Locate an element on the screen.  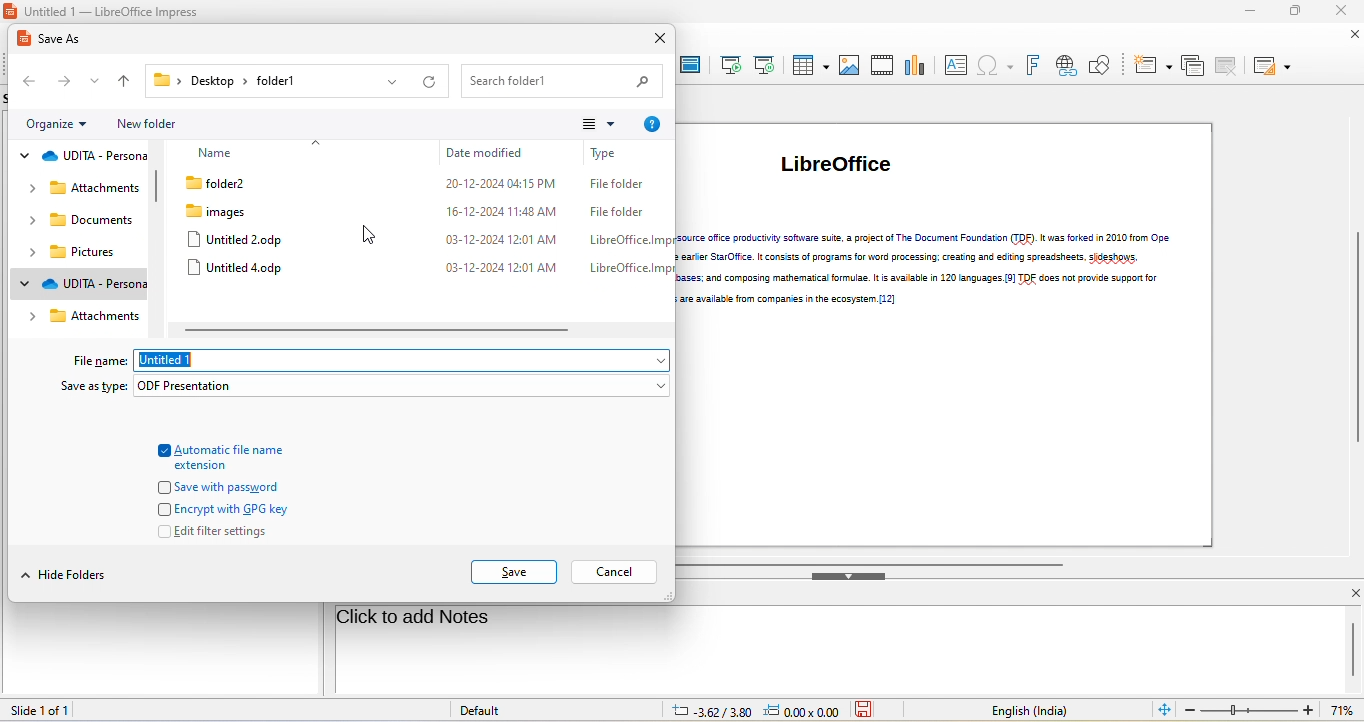
pictures is located at coordinates (72, 251).